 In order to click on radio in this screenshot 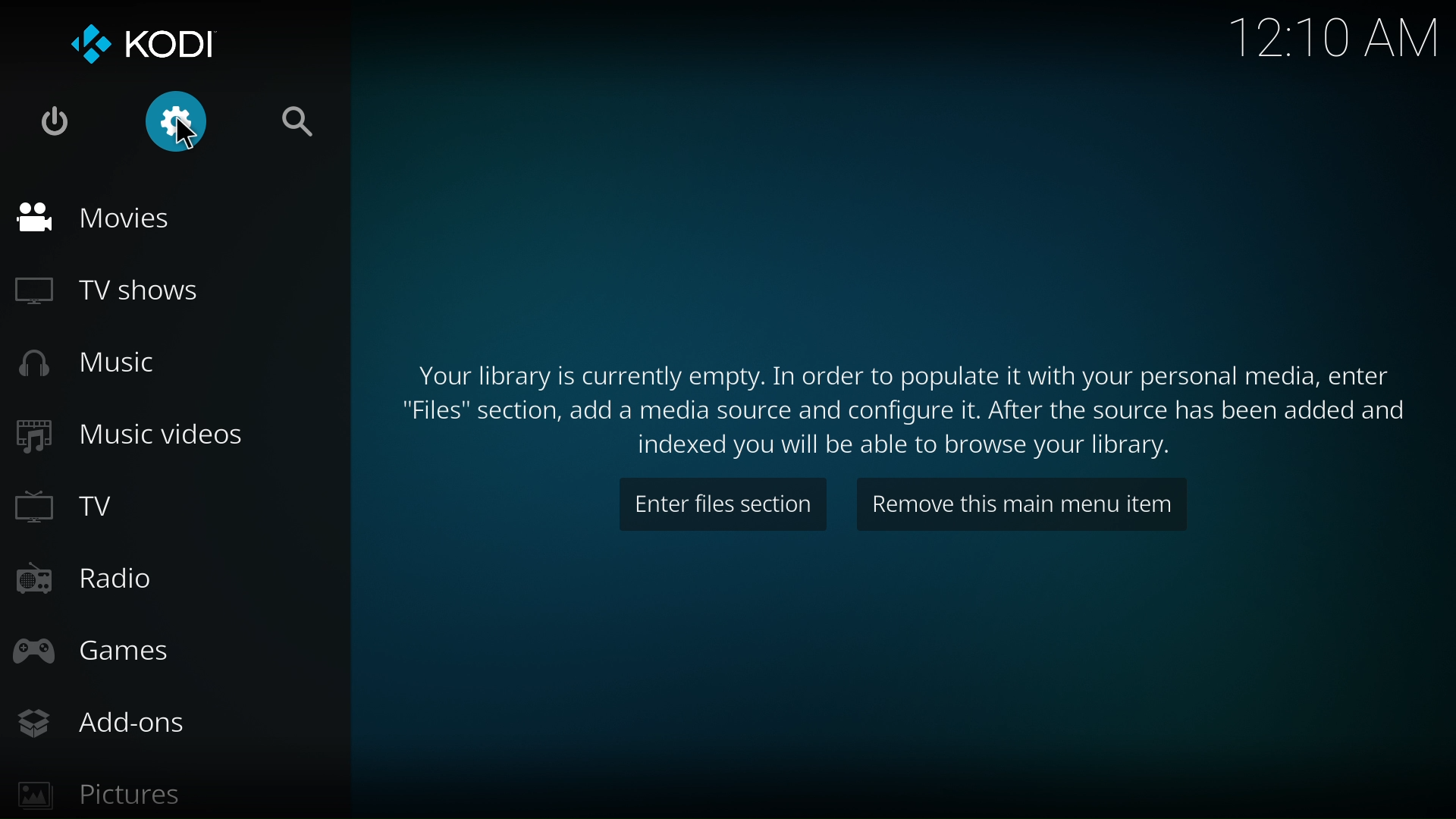, I will do `click(90, 579)`.